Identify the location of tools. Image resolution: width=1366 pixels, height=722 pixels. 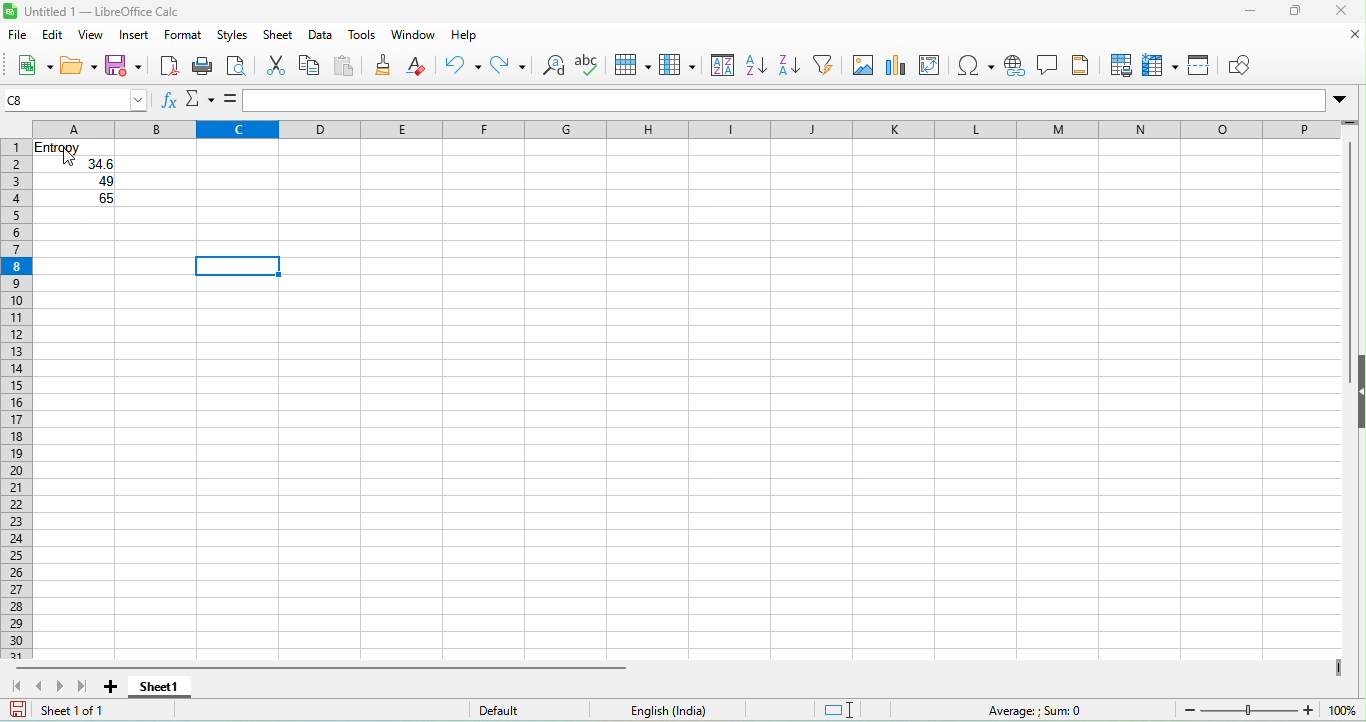
(368, 35).